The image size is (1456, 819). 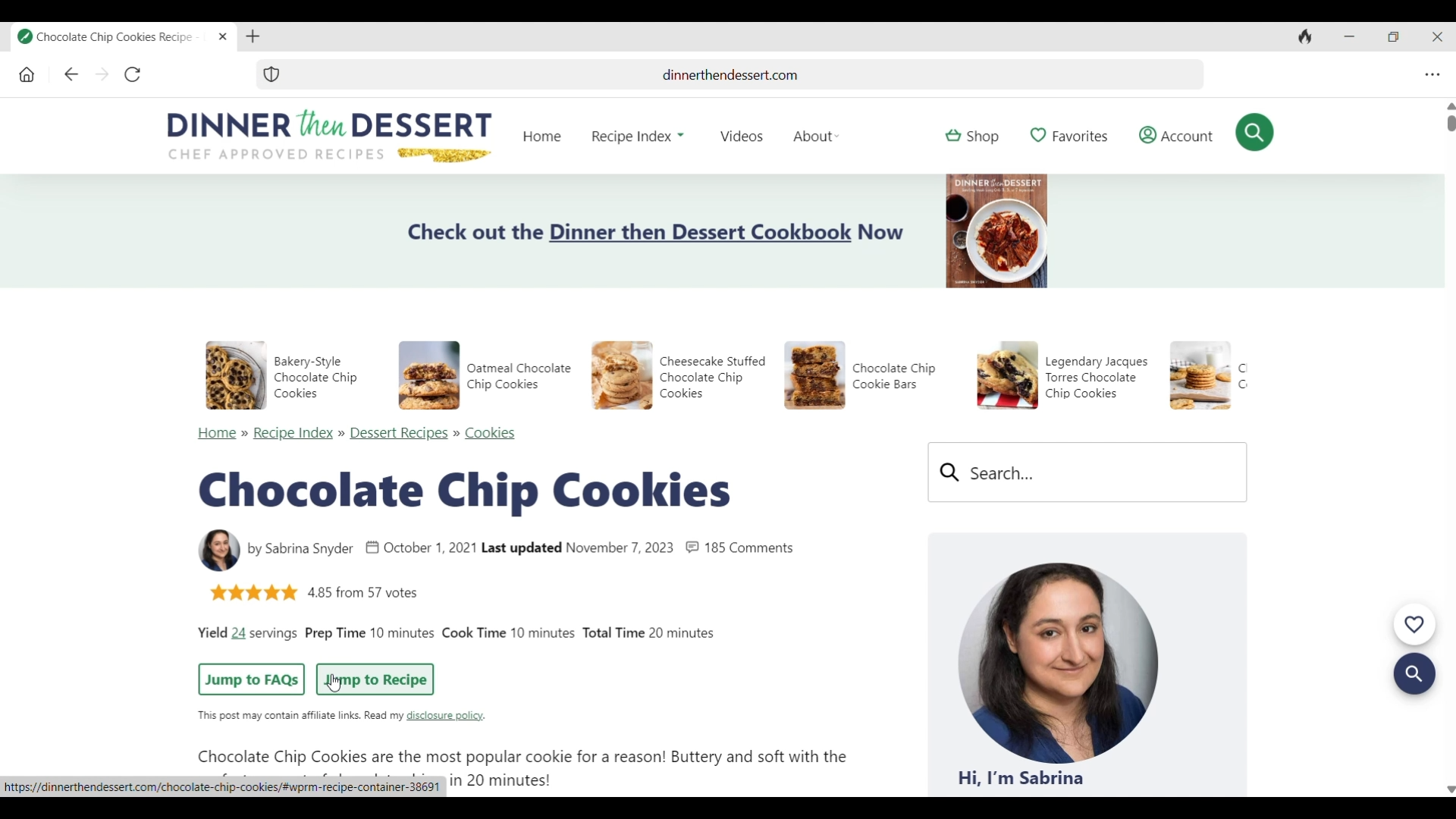 I want to click on Date symbol, so click(x=372, y=548).